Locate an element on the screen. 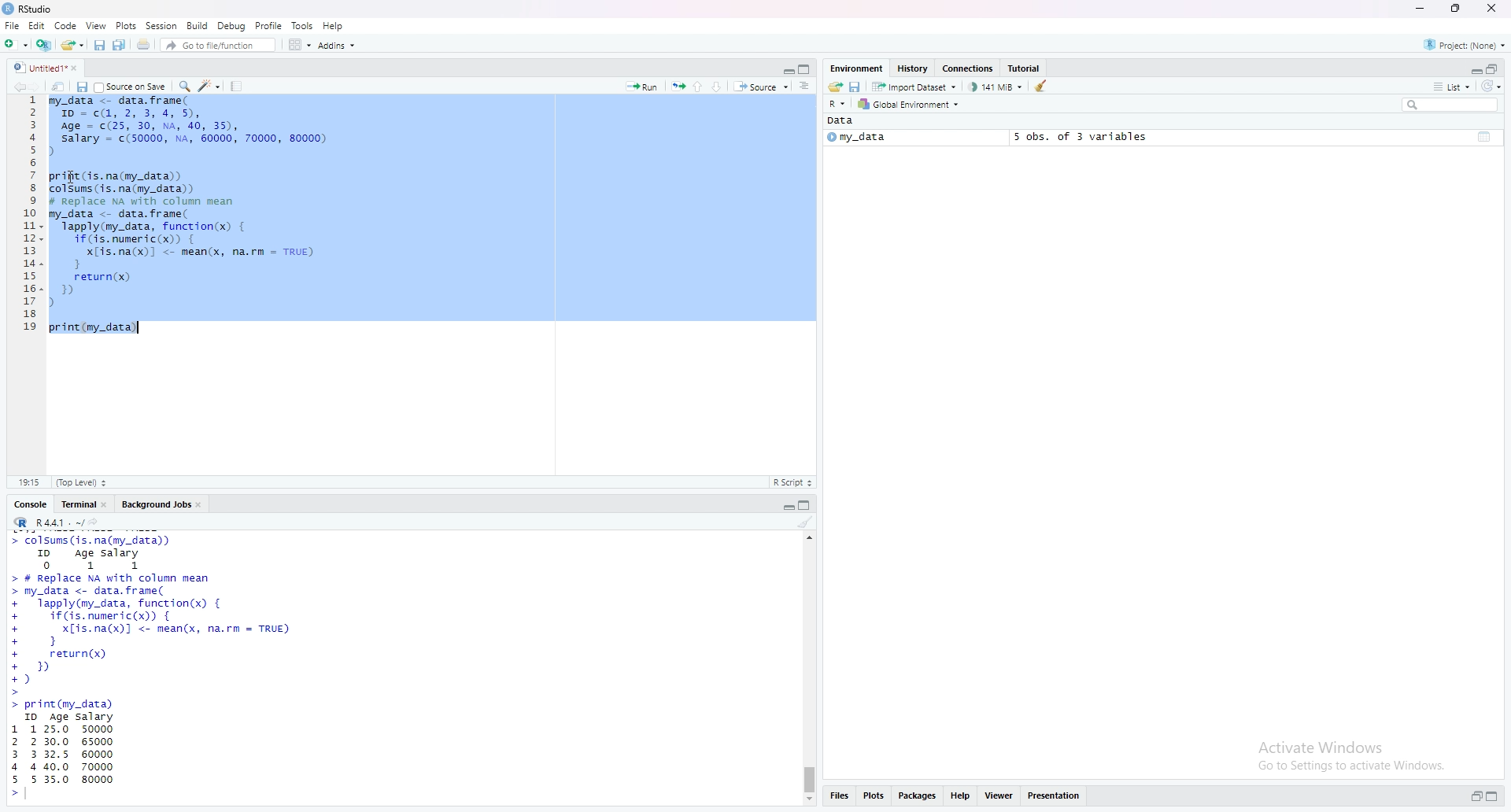 The width and height of the screenshot is (1511, 812). global environment is located at coordinates (911, 105).